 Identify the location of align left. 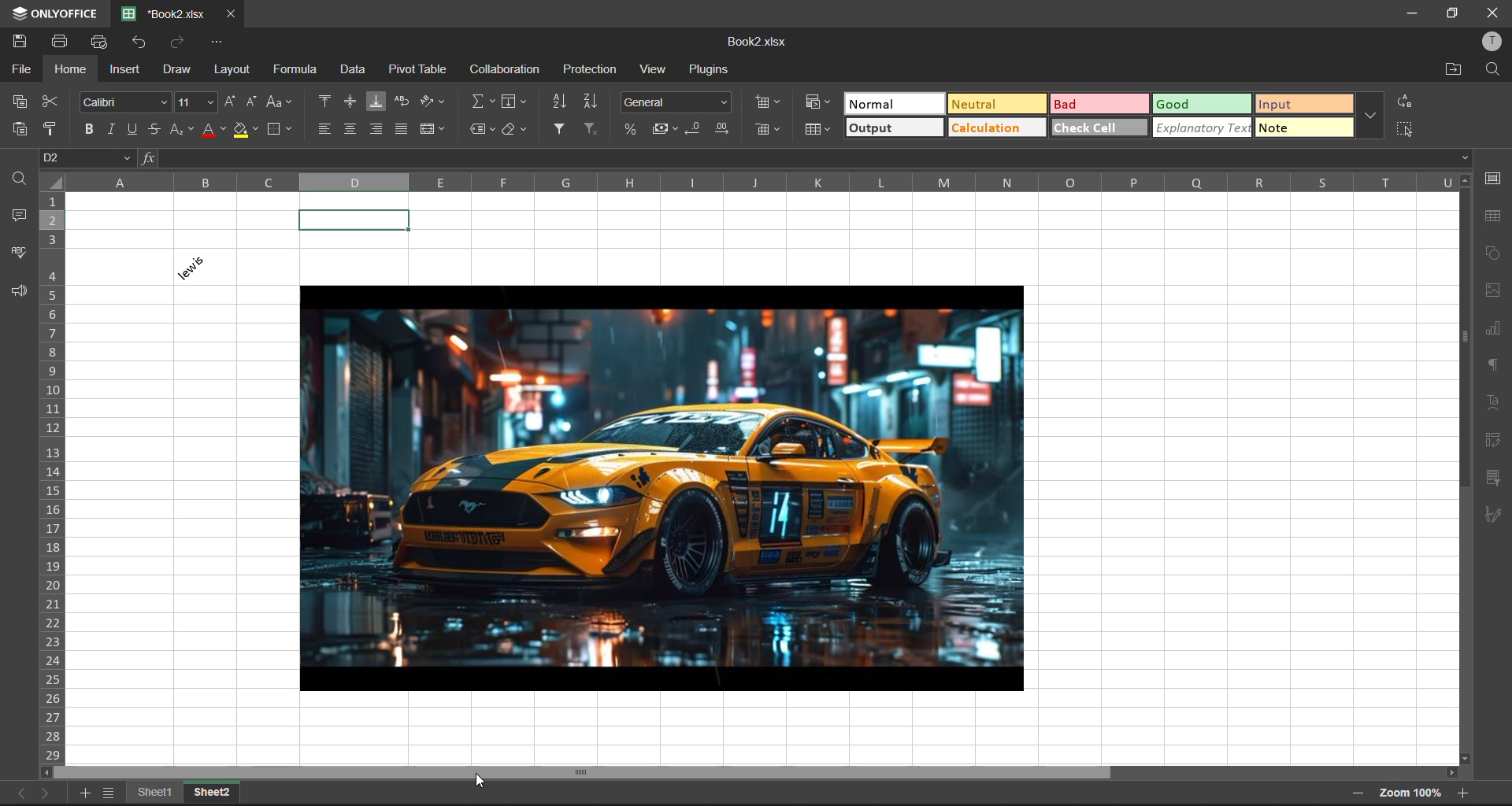
(325, 128).